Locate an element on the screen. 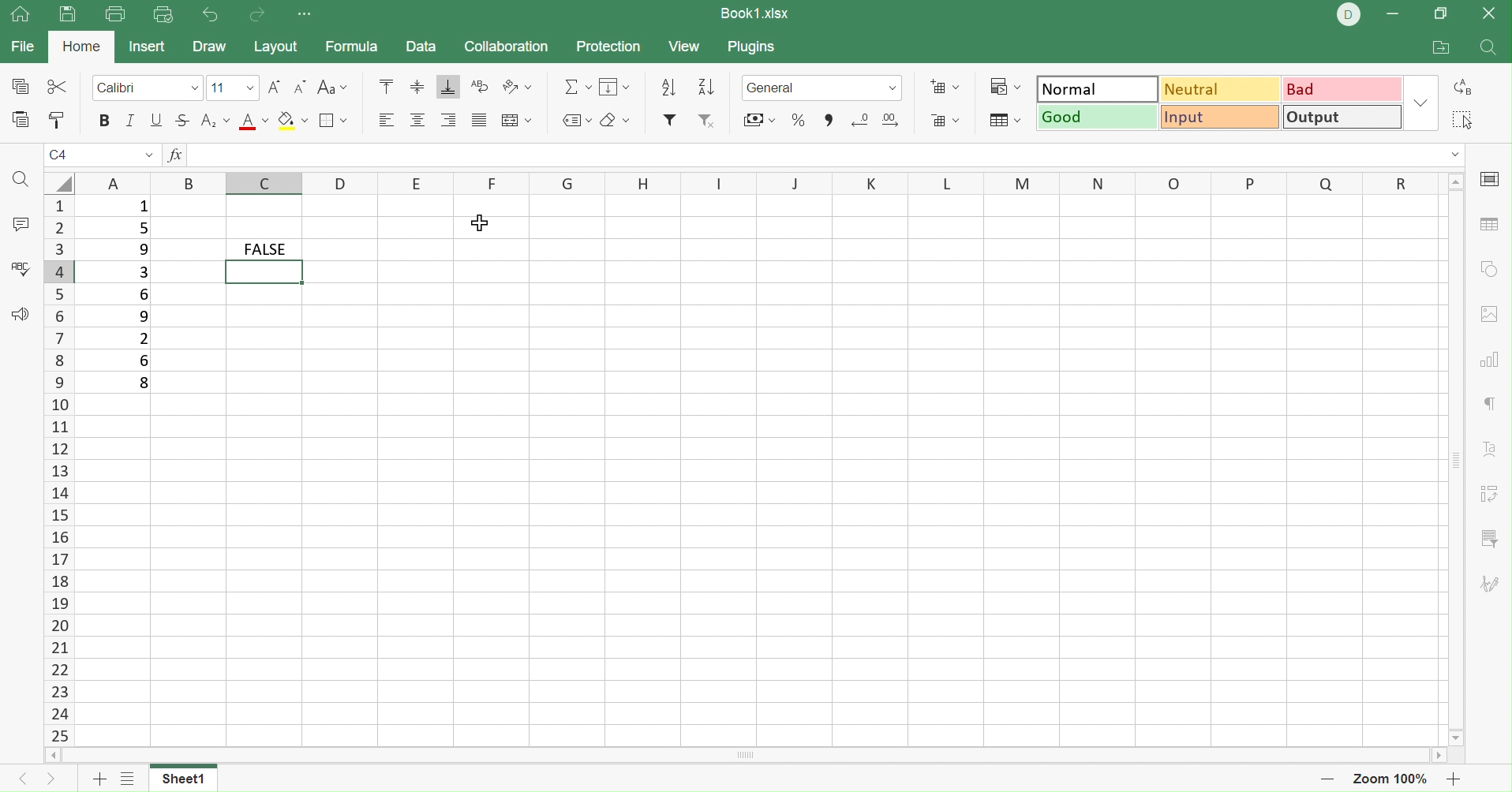 The height and width of the screenshot is (792, 1512). Scroll bar is located at coordinates (747, 756).